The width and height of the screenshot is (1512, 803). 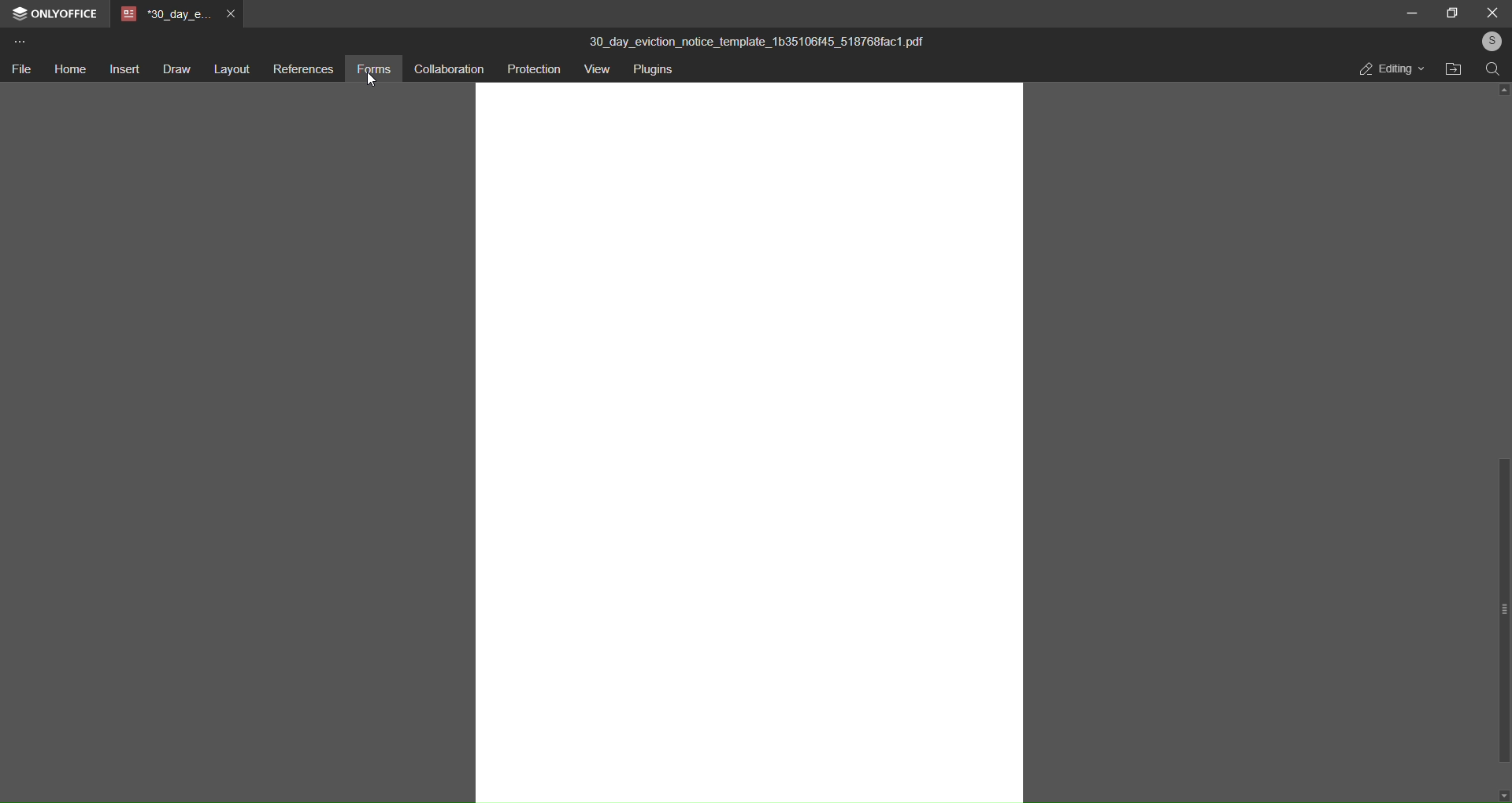 I want to click on draw, so click(x=174, y=68).